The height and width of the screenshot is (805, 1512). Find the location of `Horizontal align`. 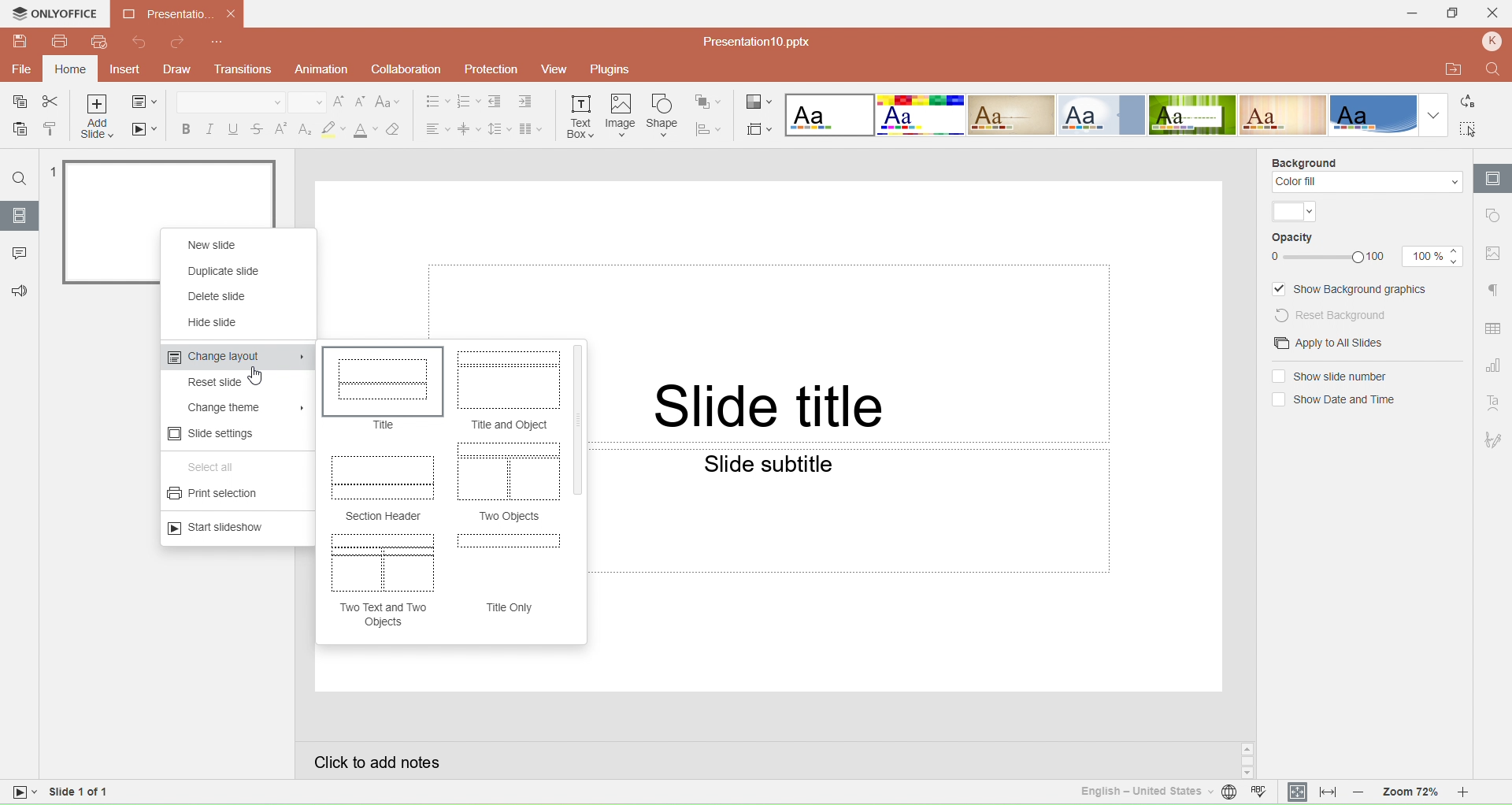

Horizontal align is located at coordinates (435, 128).